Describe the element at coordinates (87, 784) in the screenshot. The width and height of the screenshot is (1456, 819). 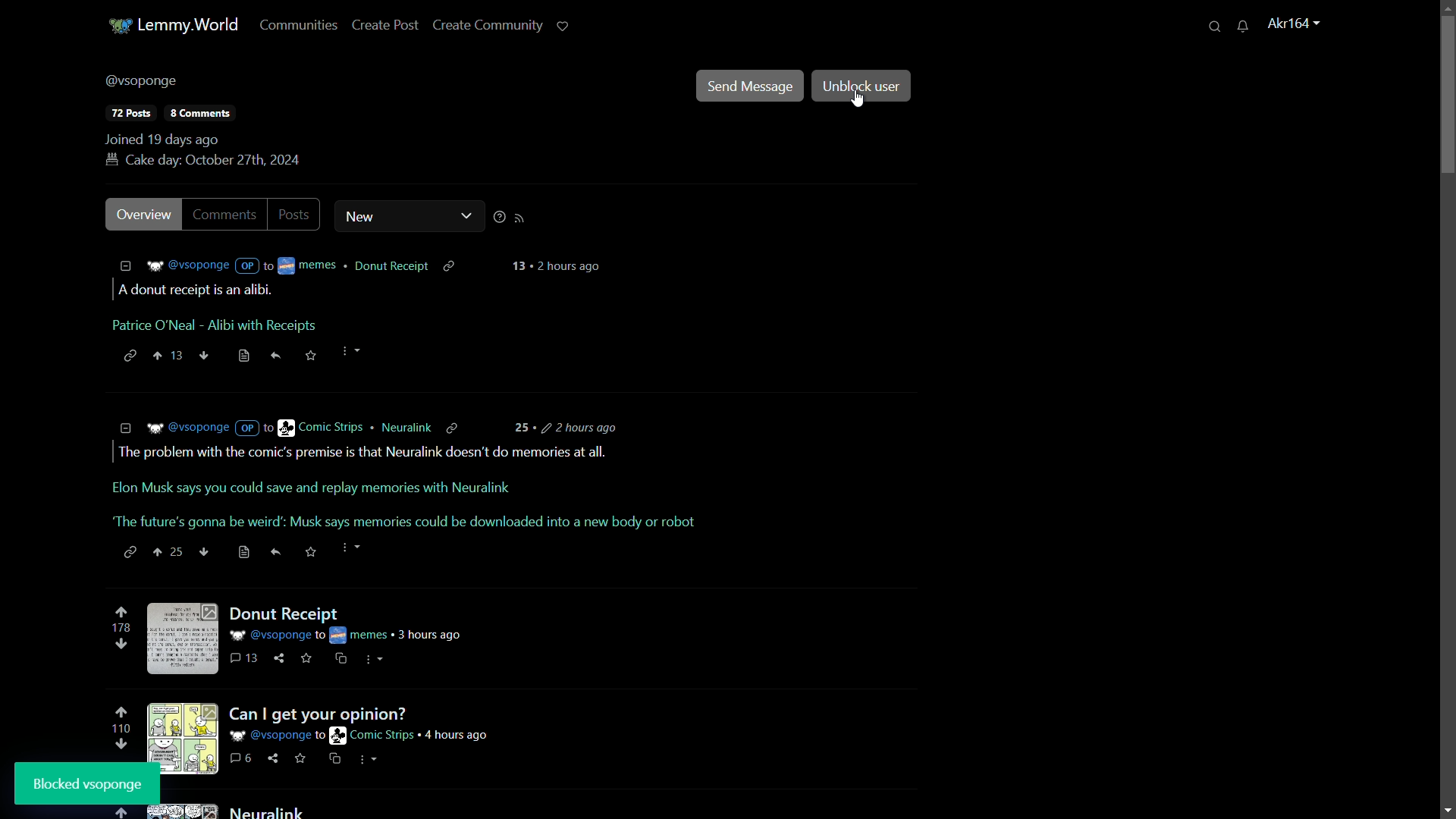
I see `block user pop` at that location.